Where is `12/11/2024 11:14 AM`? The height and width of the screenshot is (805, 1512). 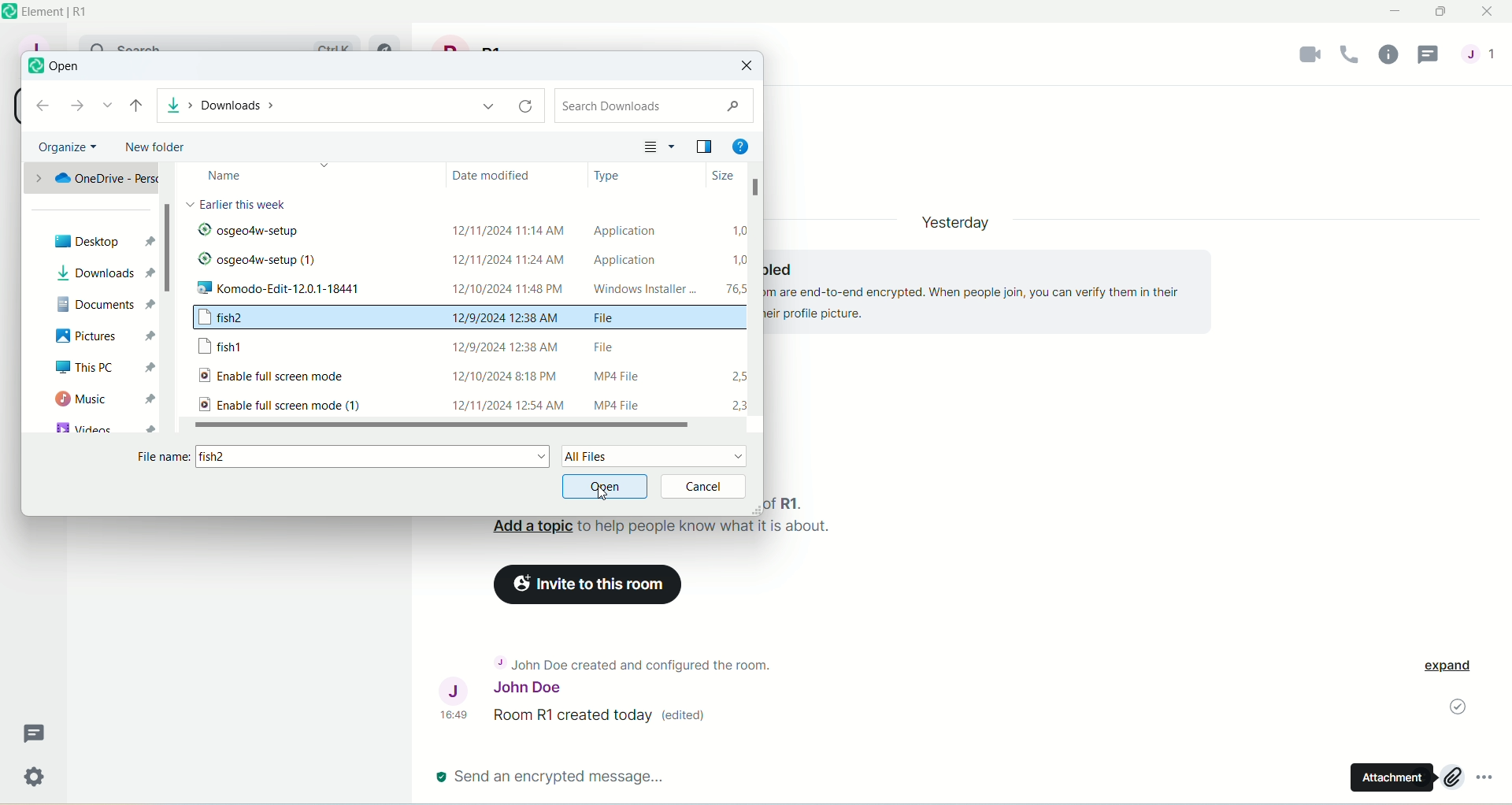 12/11/2024 11:14 AM is located at coordinates (509, 224).